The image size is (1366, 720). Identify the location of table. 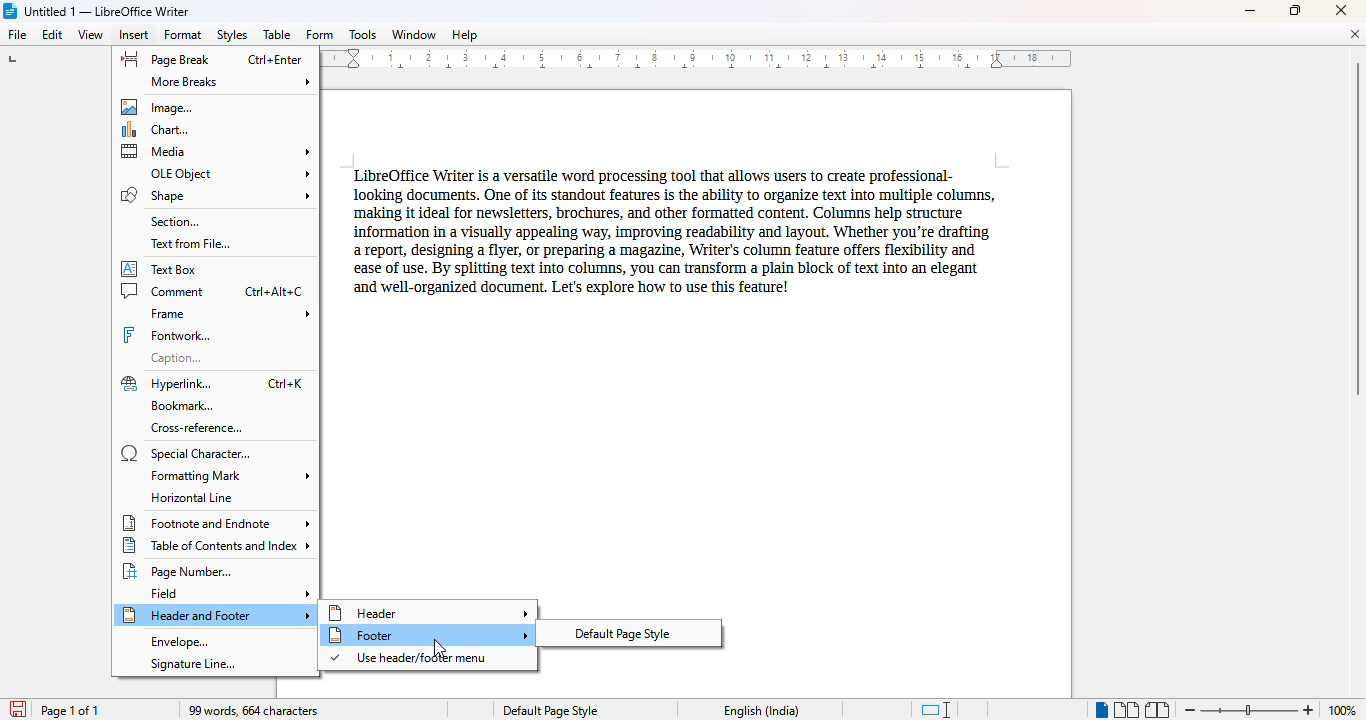
(277, 35).